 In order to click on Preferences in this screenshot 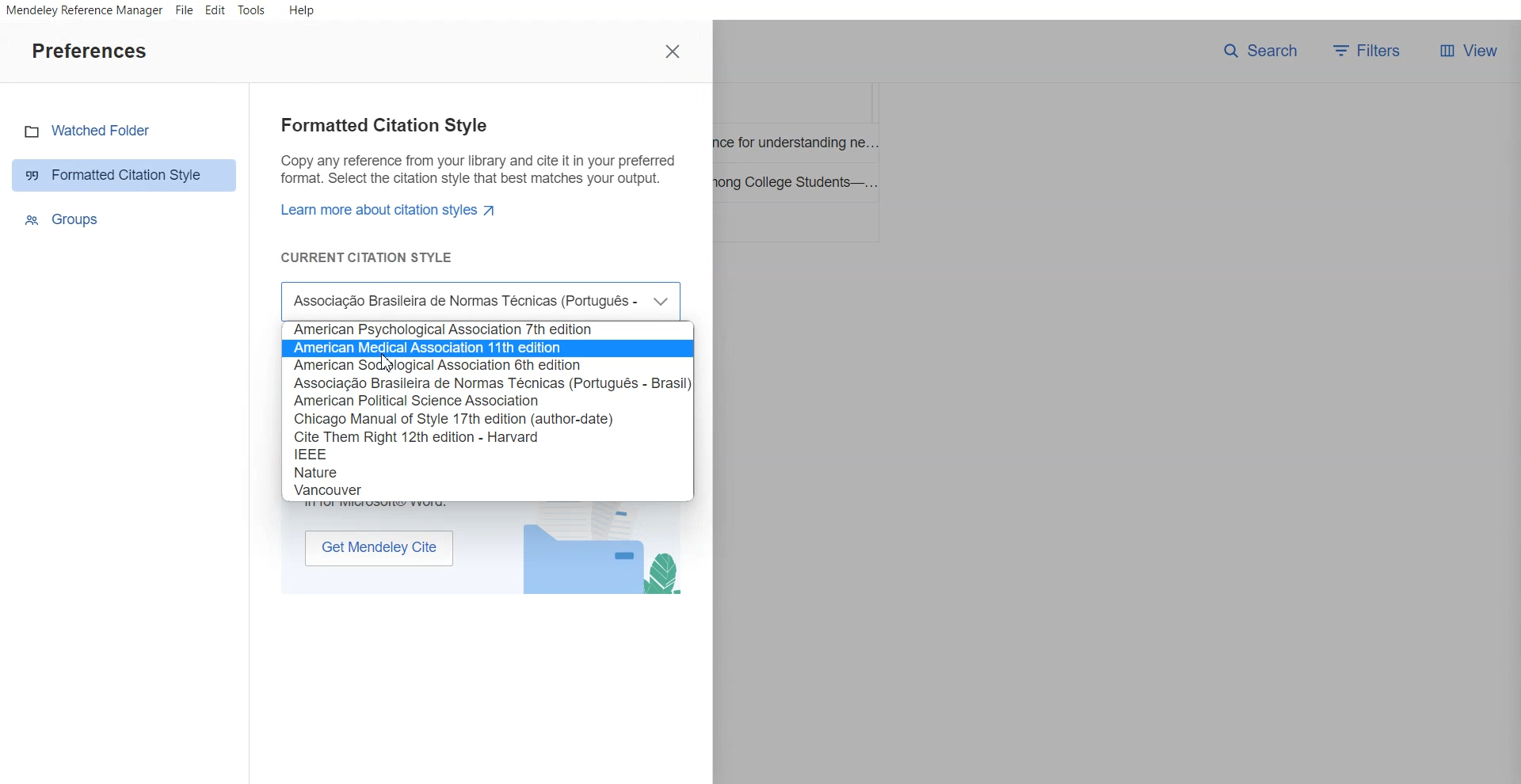, I will do `click(89, 50)`.